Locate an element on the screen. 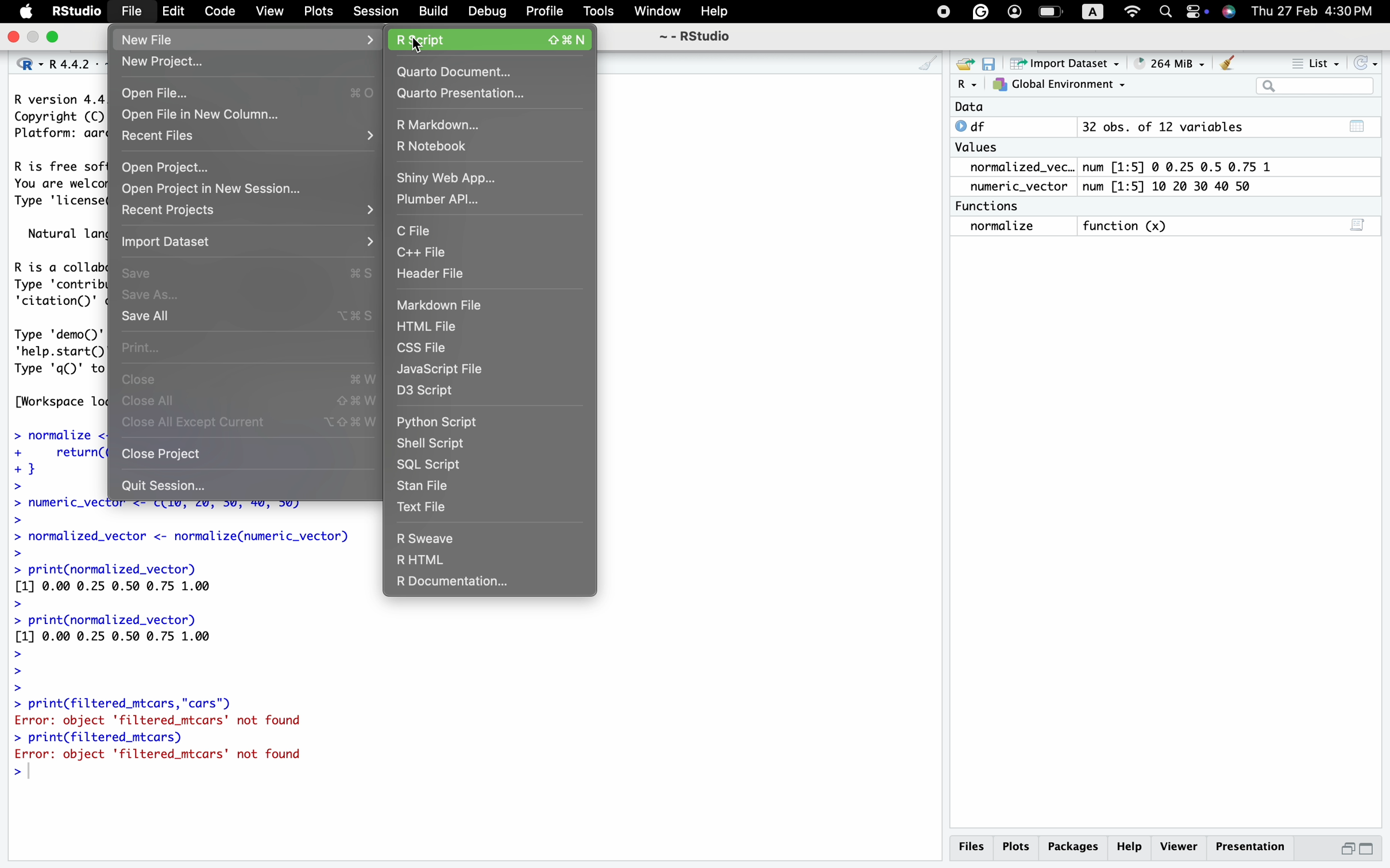 This screenshot has height=868, width=1390. R is a collab:
Type 'contribi
"citation" is located at coordinates (61, 285).